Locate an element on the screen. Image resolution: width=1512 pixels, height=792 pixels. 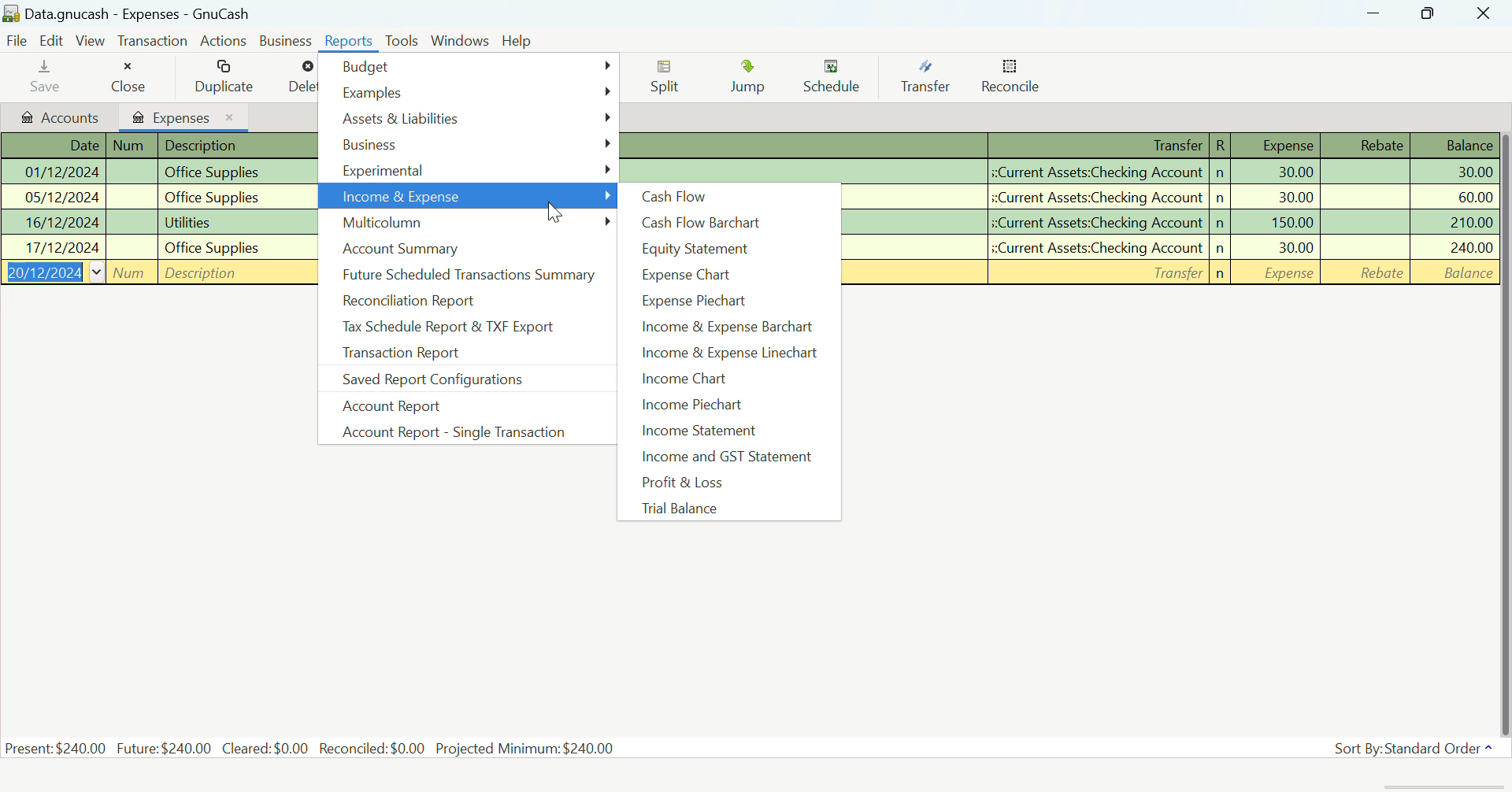
Jump is located at coordinates (747, 78).